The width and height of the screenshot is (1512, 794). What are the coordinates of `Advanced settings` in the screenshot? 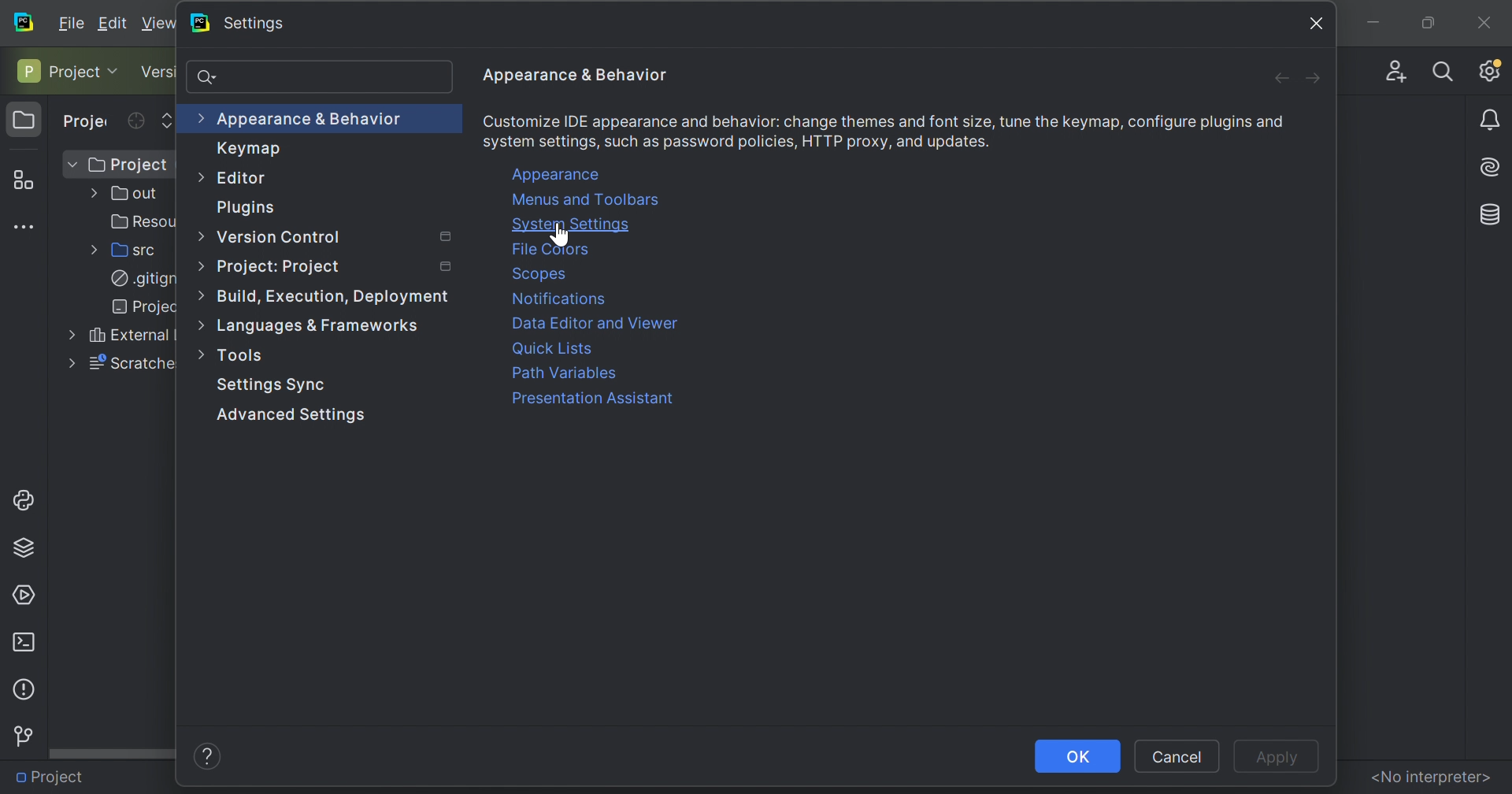 It's located at (296, 414).